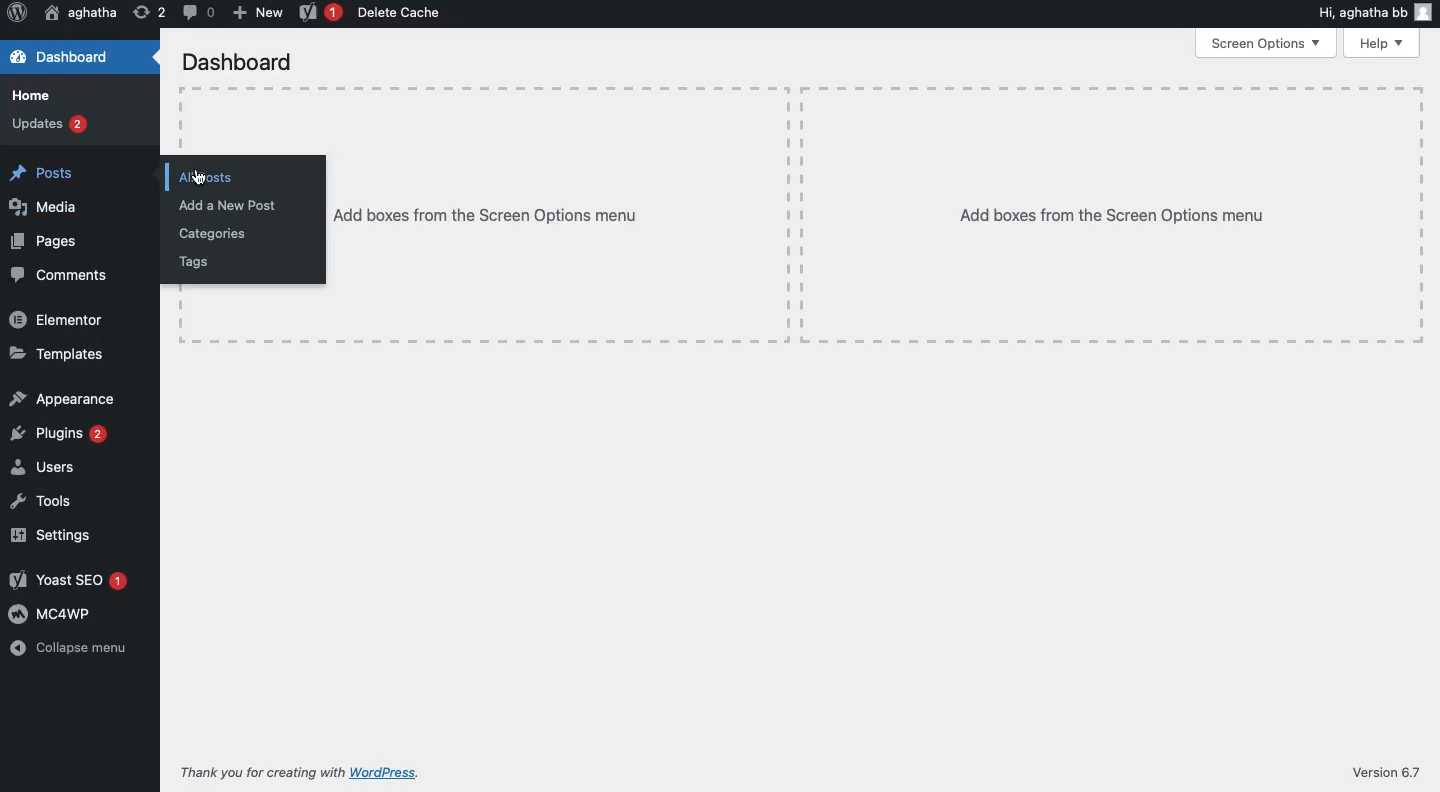 The width and height of the screenshot is (1440, 792). I want to click on Table line, so click(800, 87).